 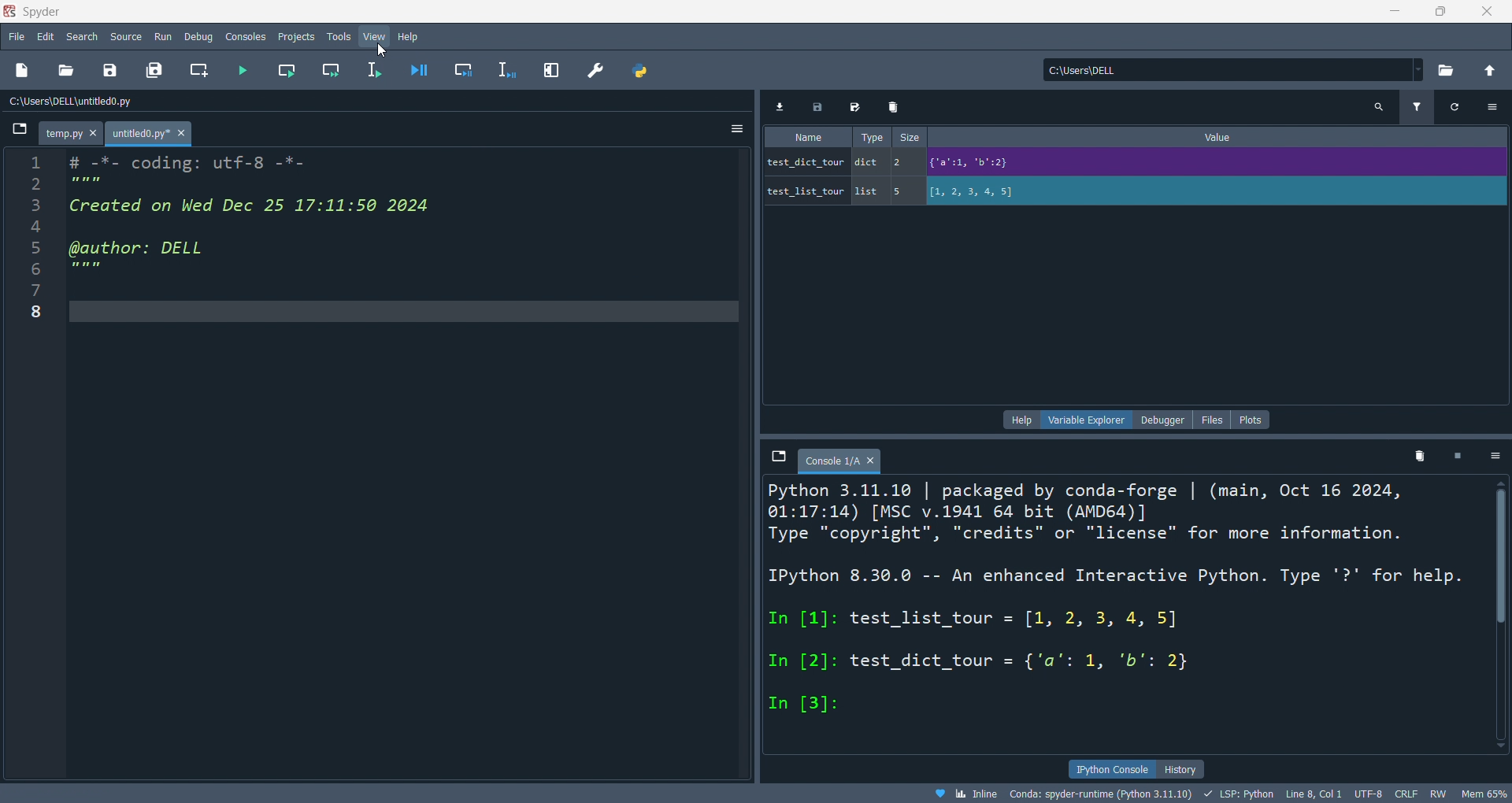 What do you see at coordinates (1446, 69) in the screenshot?
I see `open directory` at bounding box center [1446, 69].